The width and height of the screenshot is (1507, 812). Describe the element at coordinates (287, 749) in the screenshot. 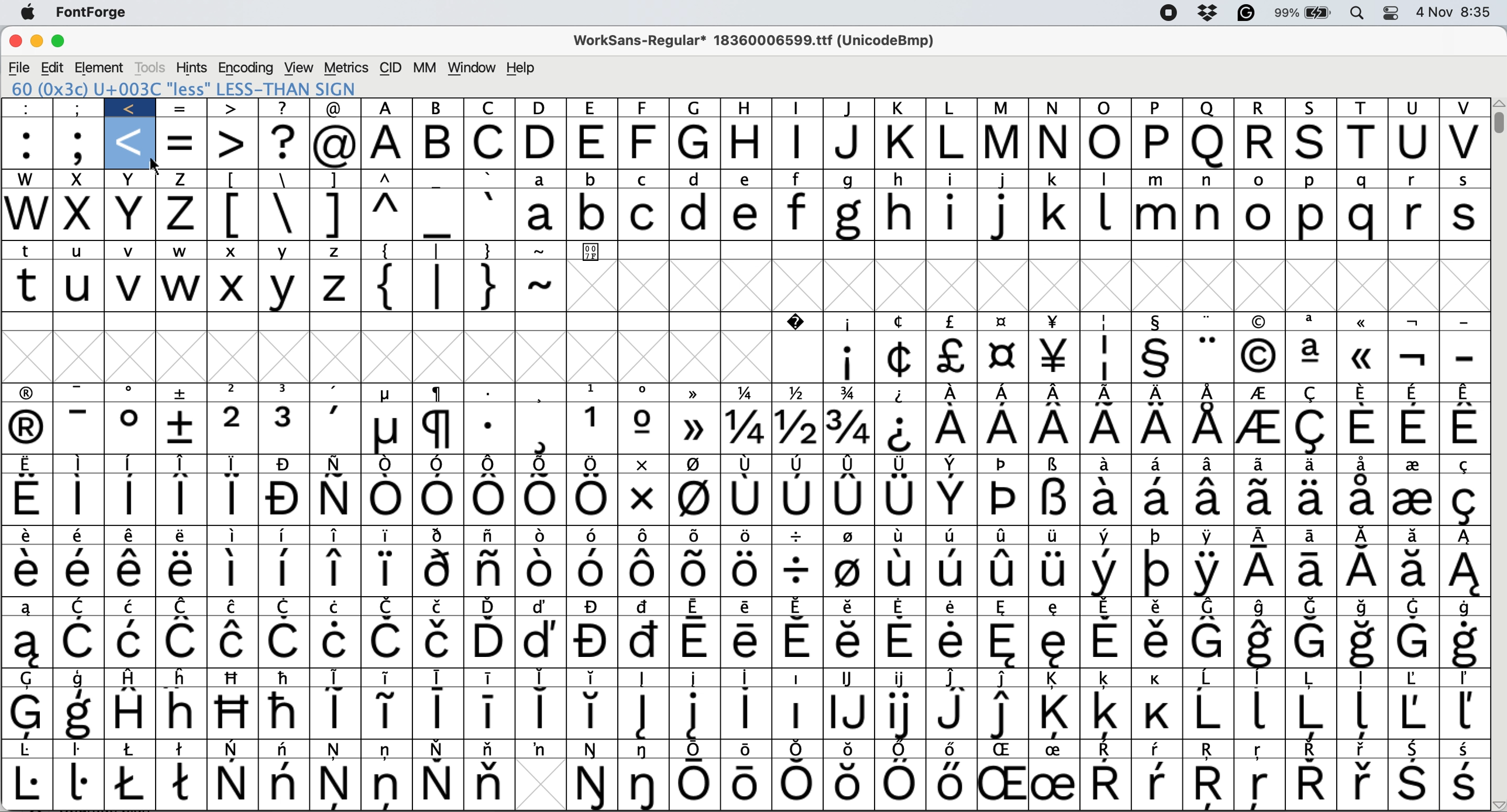

I see `Symbol` at that location.